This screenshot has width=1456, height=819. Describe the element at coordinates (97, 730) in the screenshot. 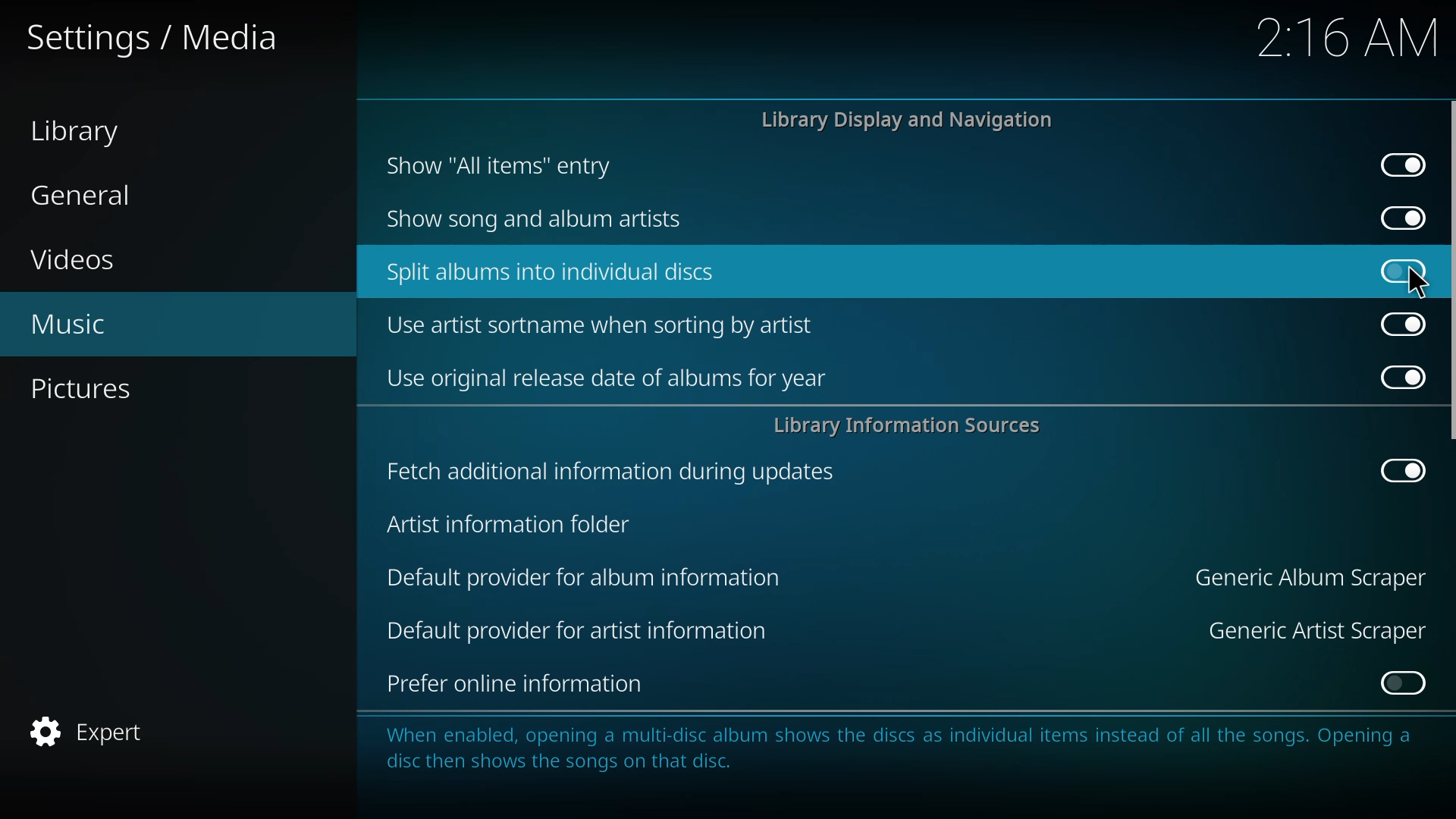

I see `expert` at that location.